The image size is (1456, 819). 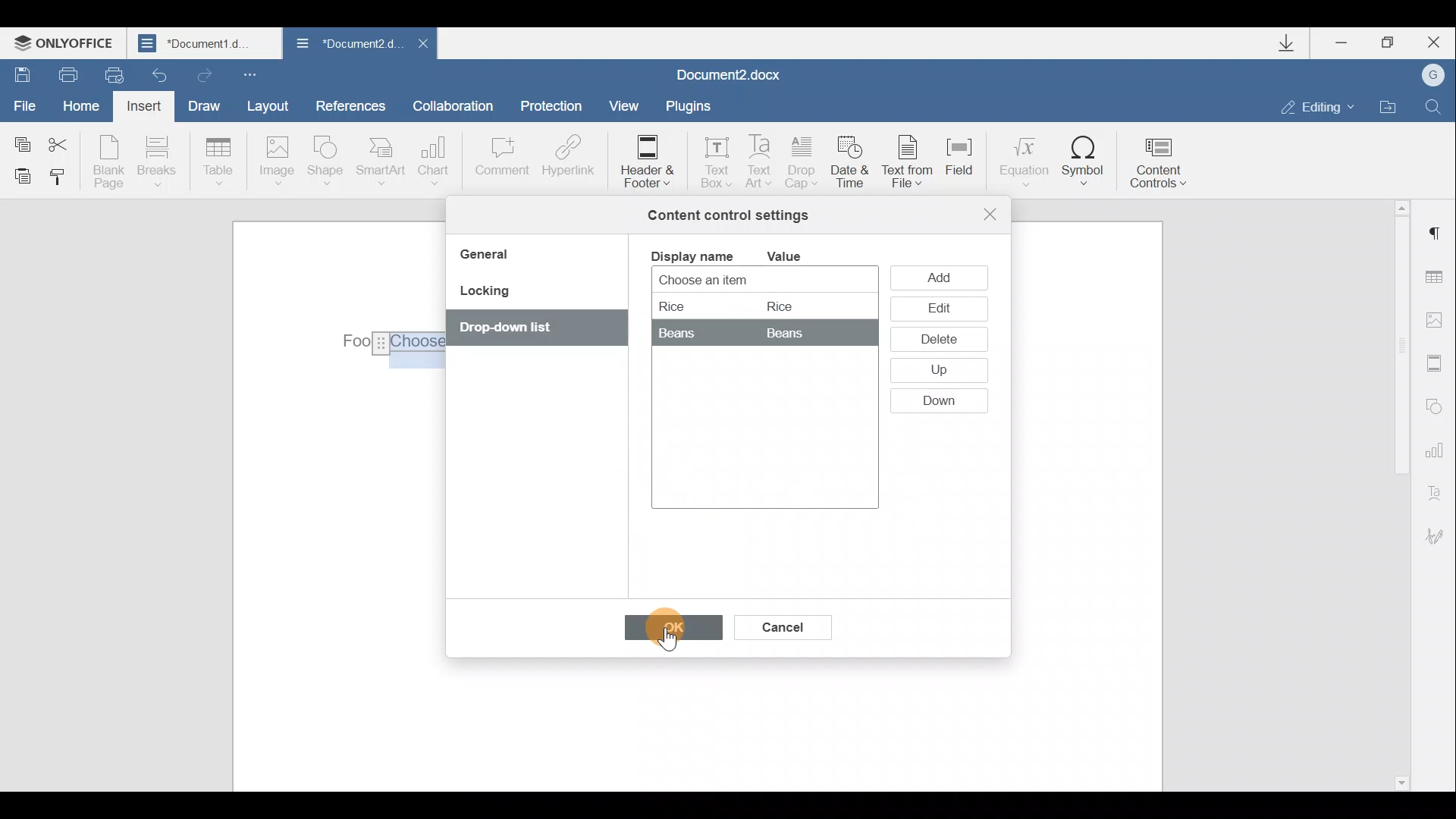 I want to click on Drop down list, so click(x=529, y=329).